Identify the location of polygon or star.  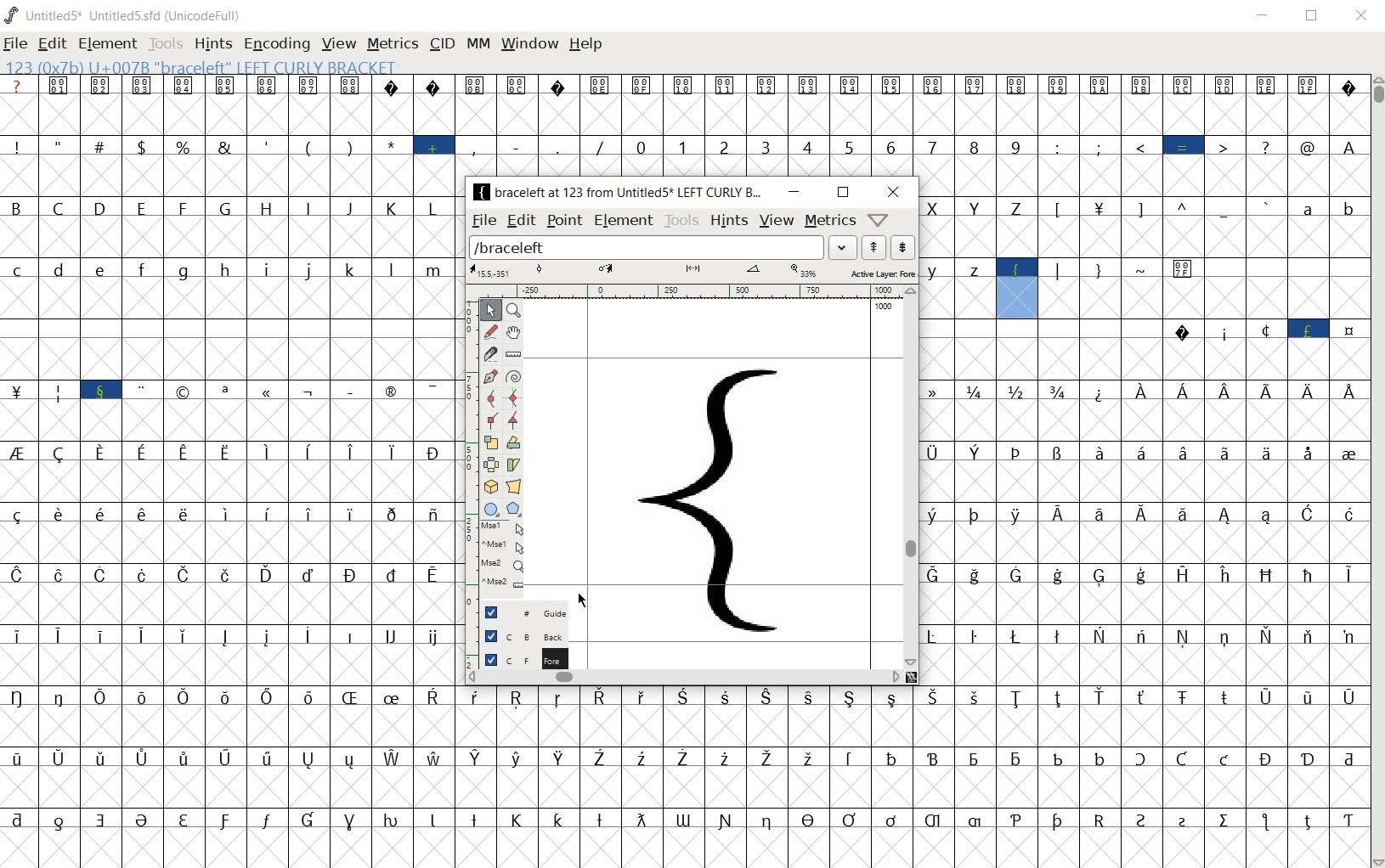
(514, 509).